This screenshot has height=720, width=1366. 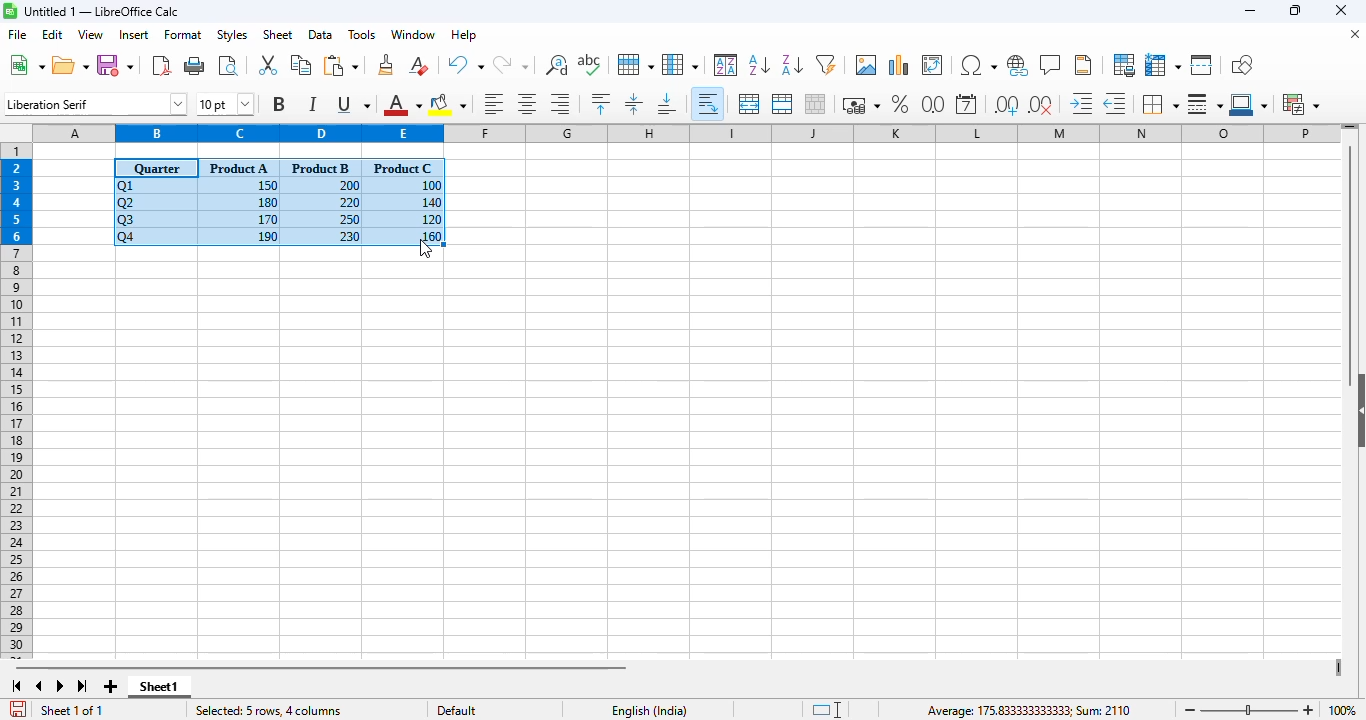 I want to click on insert image, so click(x=867, y=64).